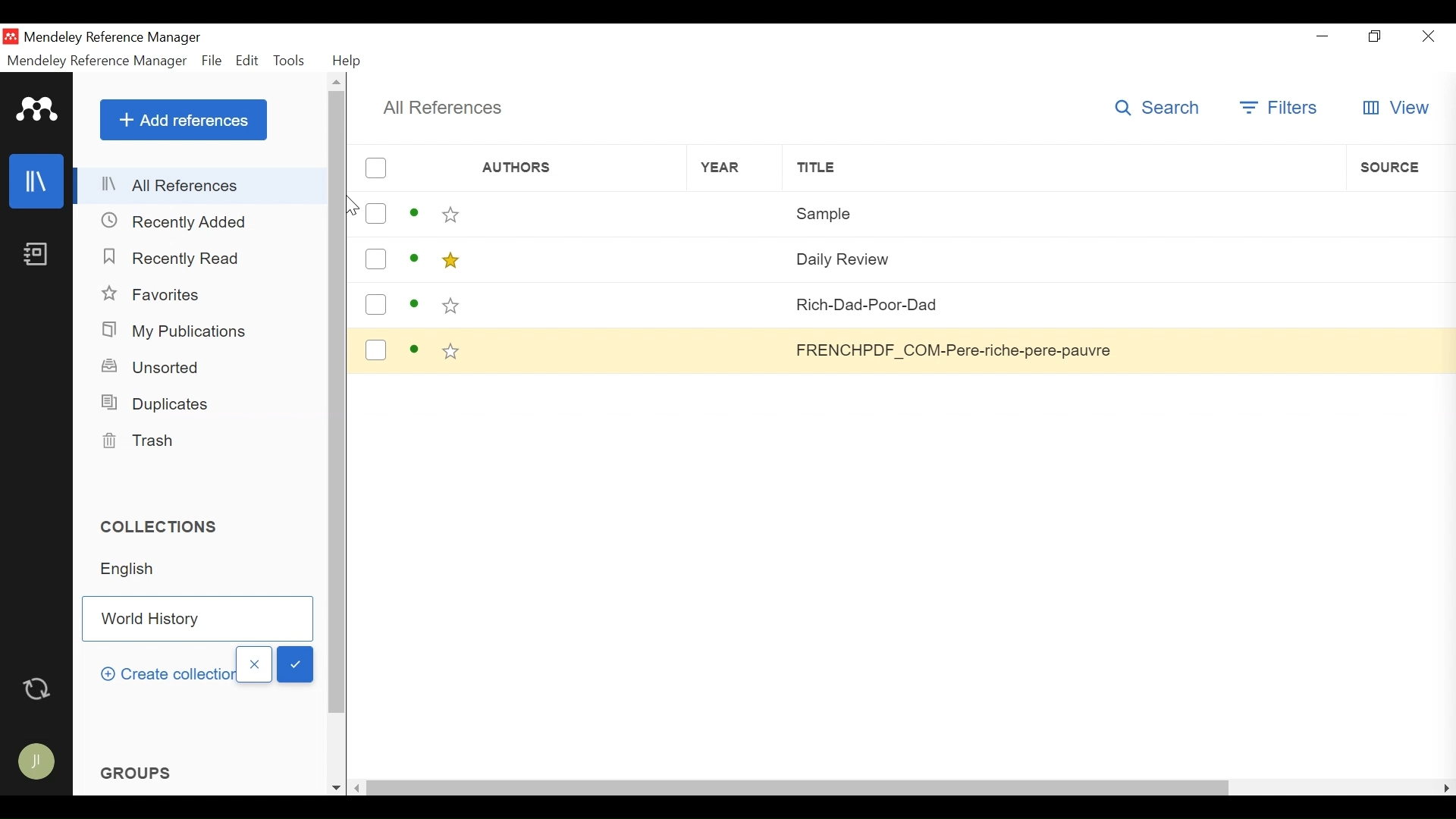 This screenshot has height=819, width=1456. I want to click on Trash, so click(143, 441).